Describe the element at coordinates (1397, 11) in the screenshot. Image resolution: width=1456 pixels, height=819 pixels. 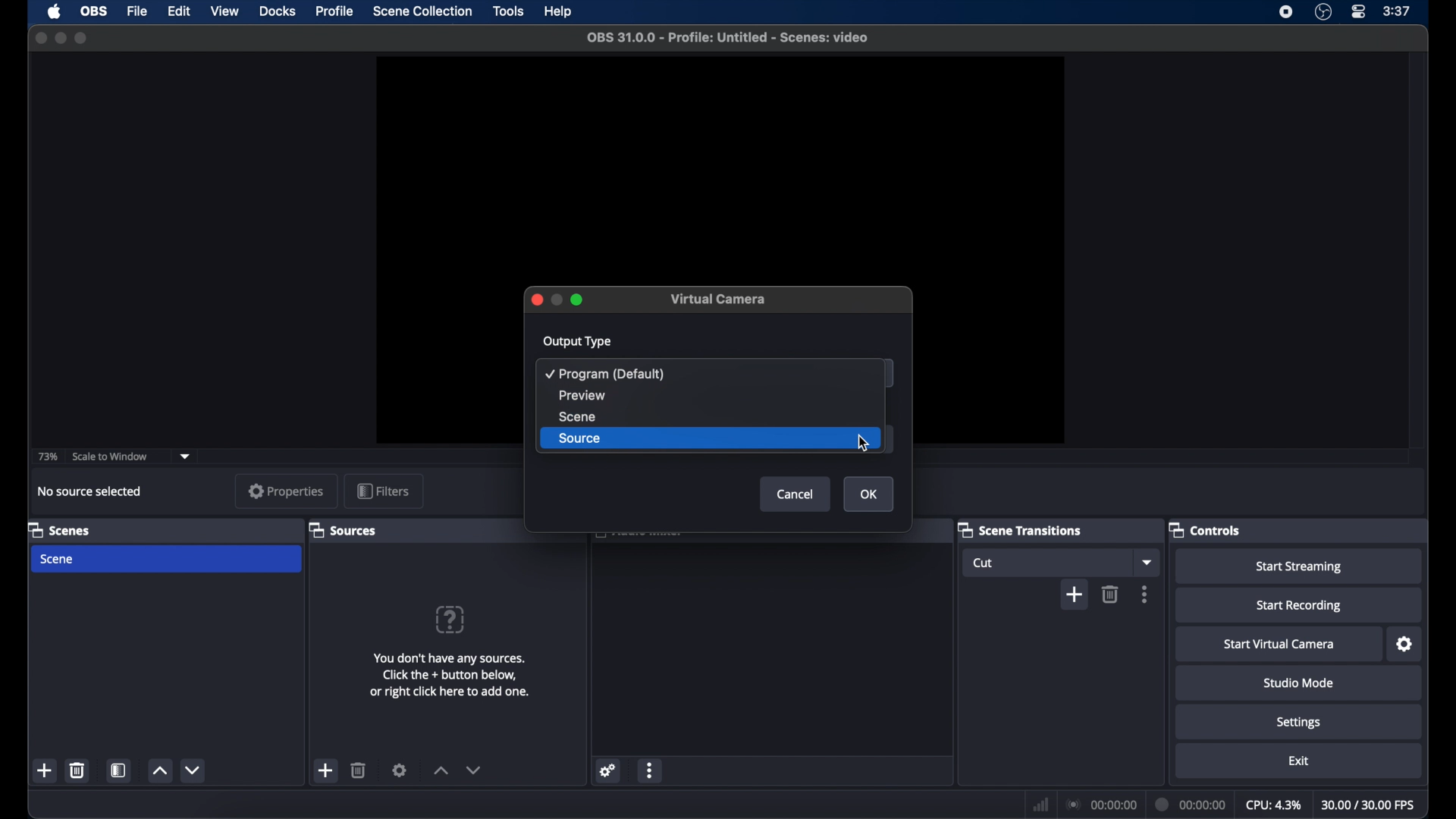
I see `time` at that location.